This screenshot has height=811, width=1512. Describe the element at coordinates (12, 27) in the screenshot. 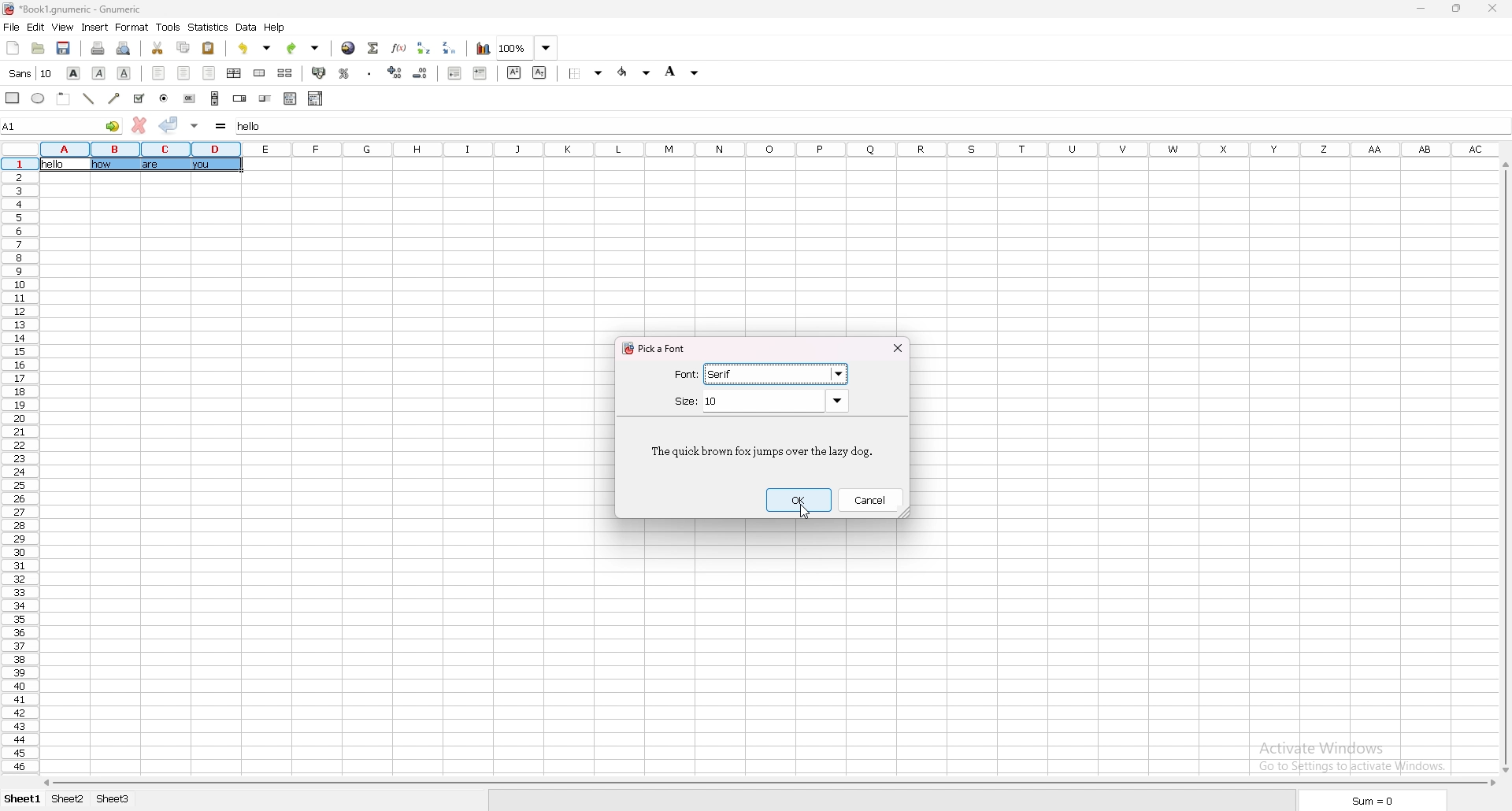

I see `file` at that location.